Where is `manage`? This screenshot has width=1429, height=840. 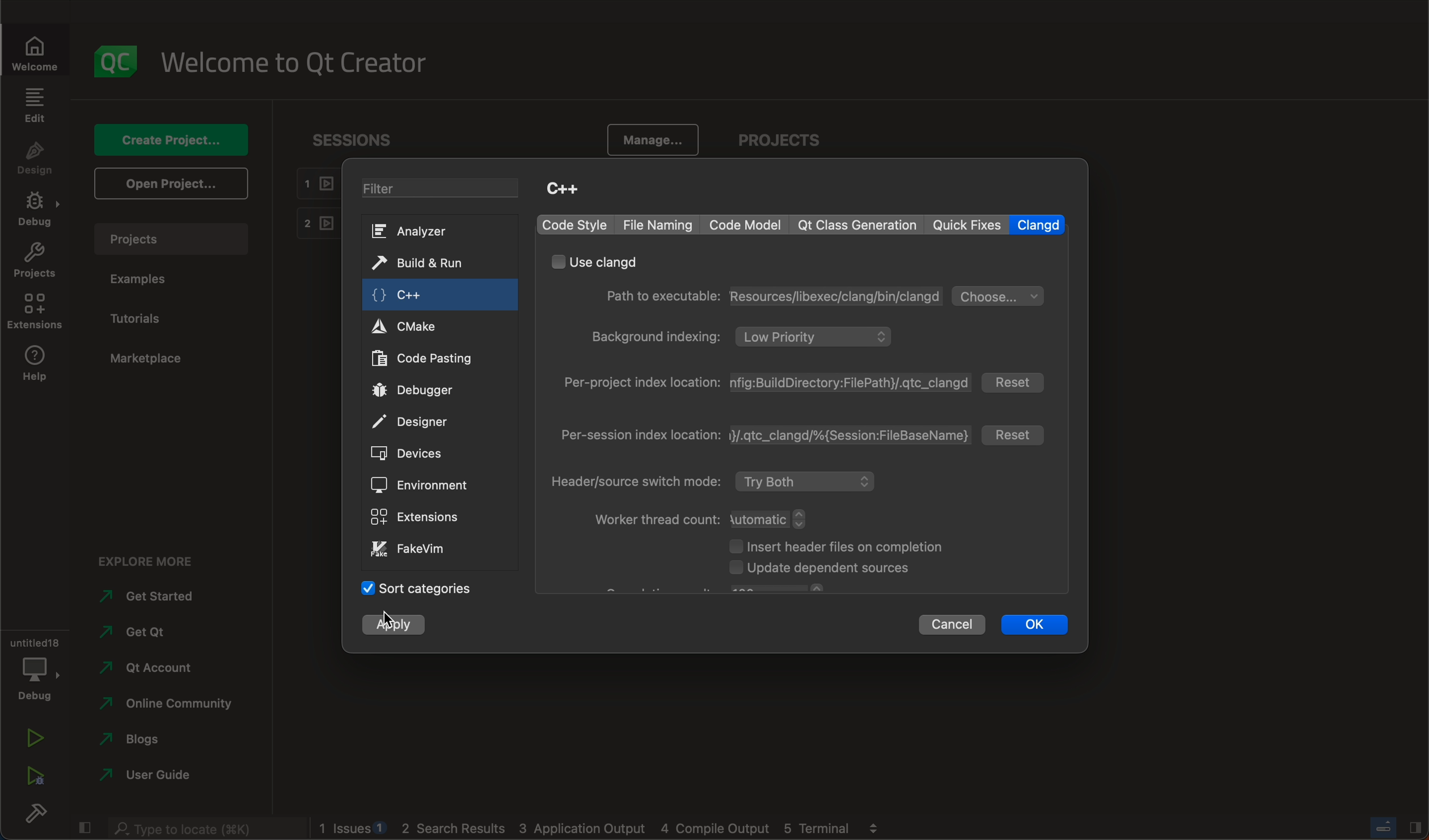 manage is located at coordinates (649, 140).